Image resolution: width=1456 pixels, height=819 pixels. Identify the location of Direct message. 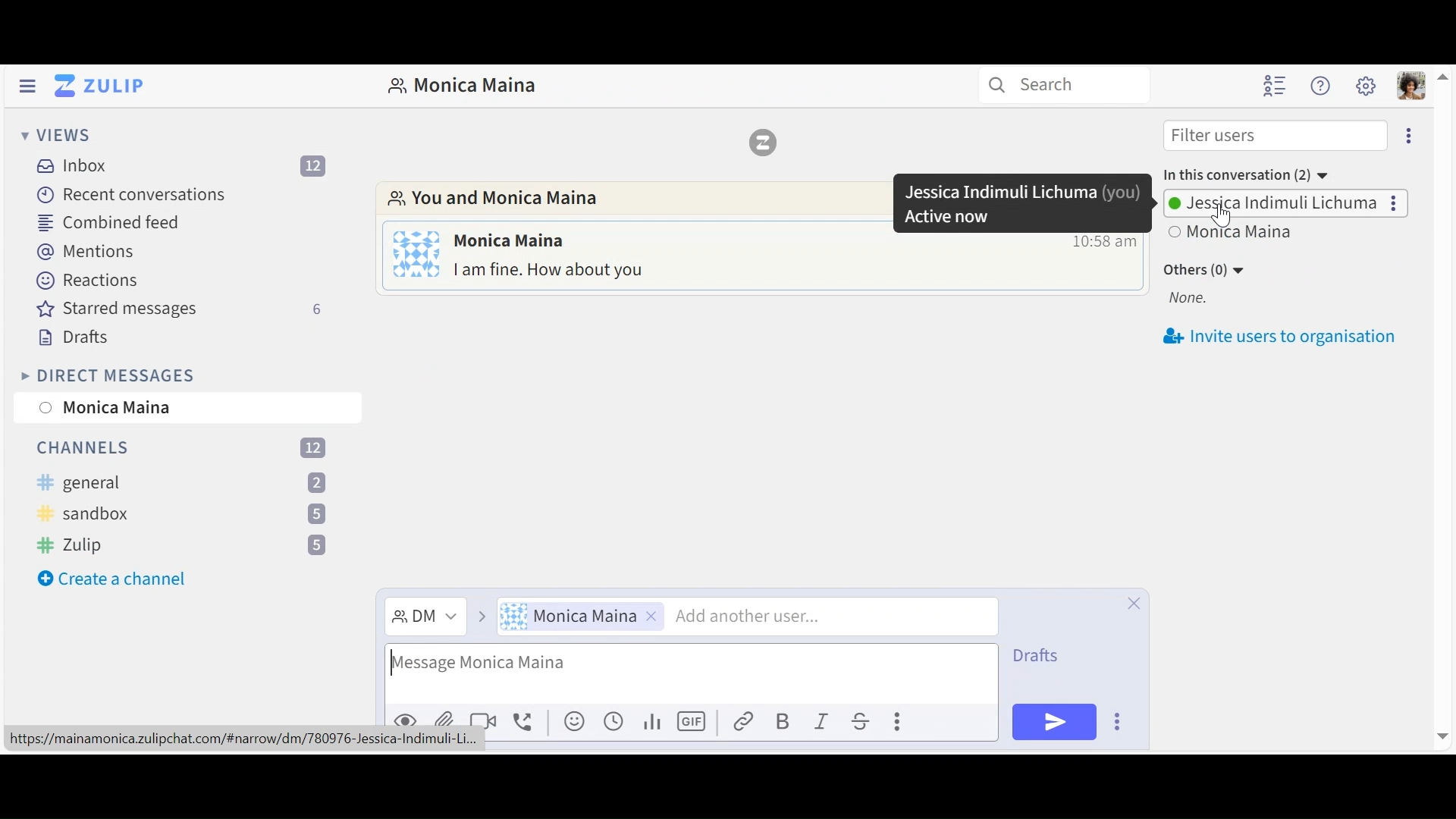
(763, 261).